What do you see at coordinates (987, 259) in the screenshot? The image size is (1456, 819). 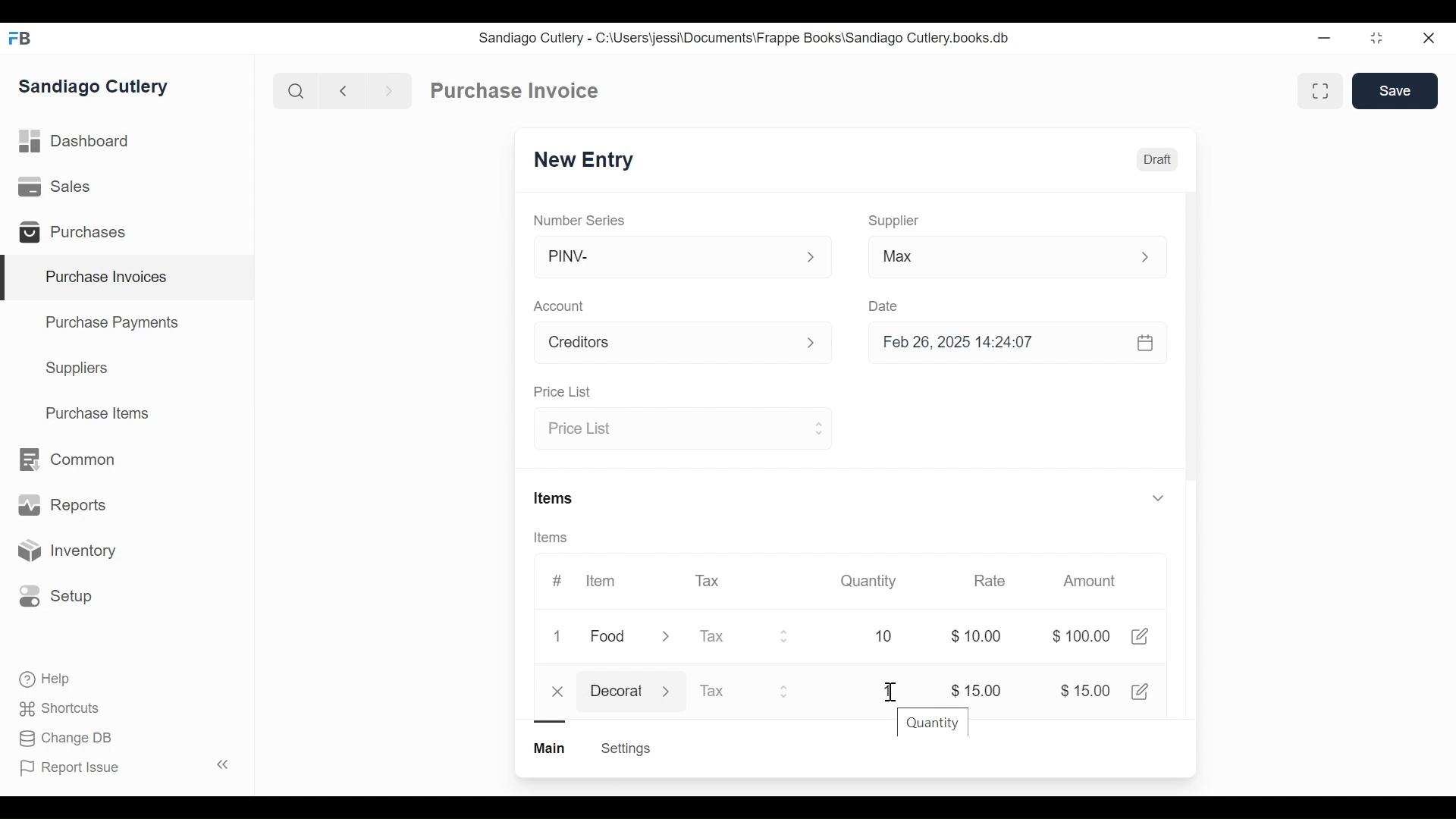 I see `Max` at bounding box center [987, 259].